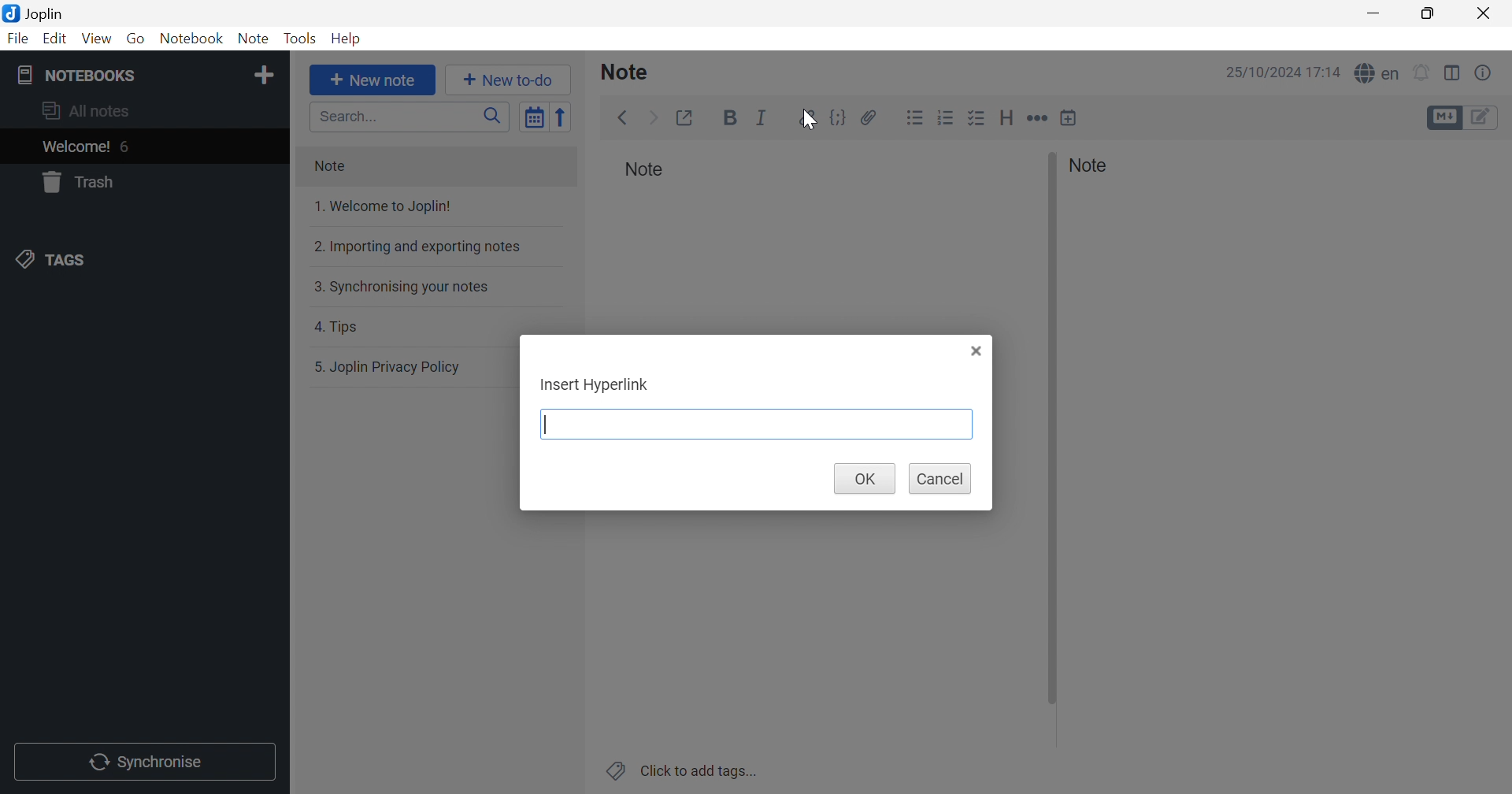 This screenshot has width=1512, height=794. What do you see at coordinates (431, 286) in the screenshot?
I see `3. Synchronising your notes` at bounding box center [431, 286].